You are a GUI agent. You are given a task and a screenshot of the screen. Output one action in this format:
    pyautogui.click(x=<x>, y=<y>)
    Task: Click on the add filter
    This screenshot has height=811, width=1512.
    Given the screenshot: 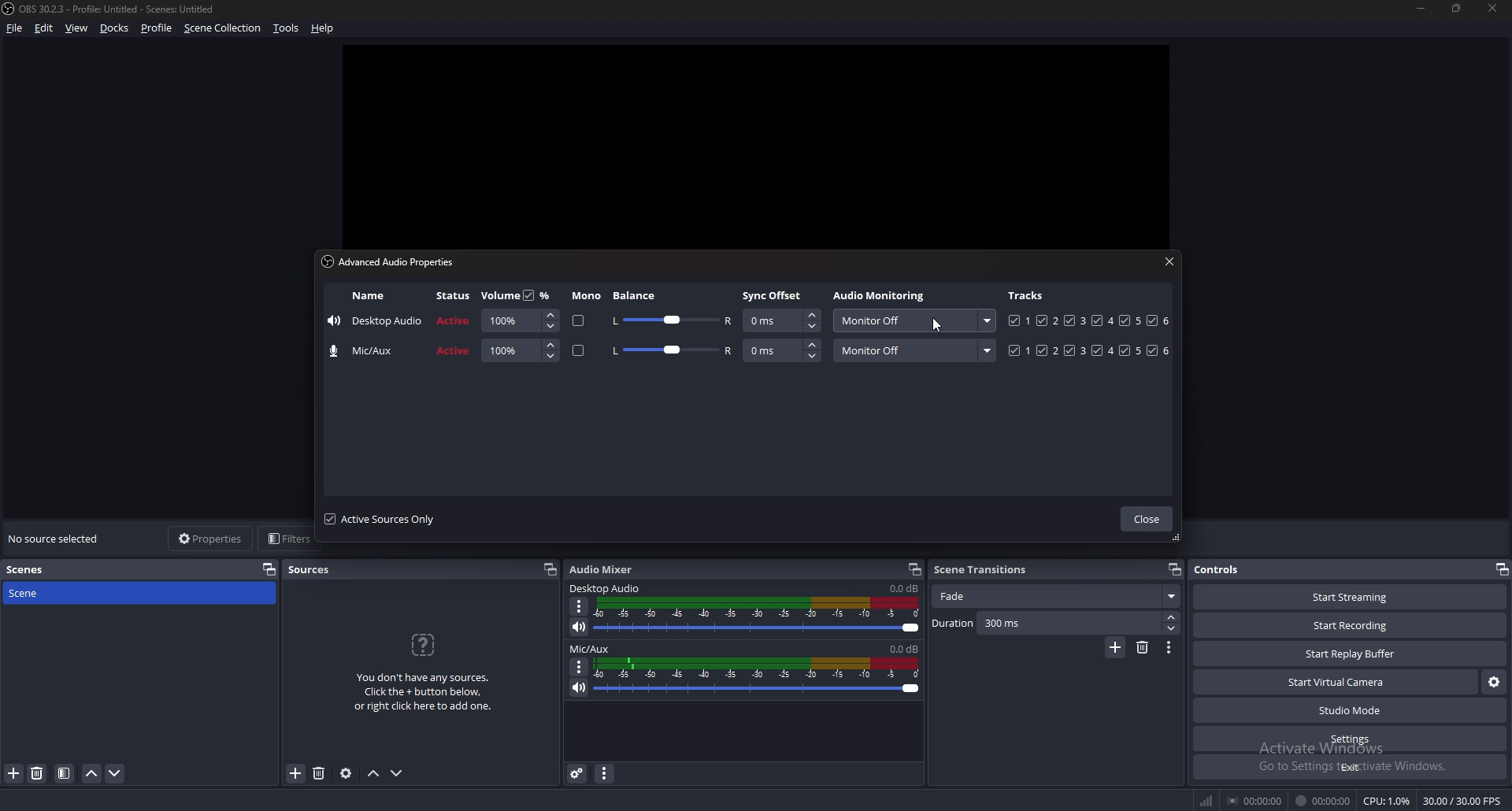 What is the action you would take?
    pyautogui.click(x=14, y=773)
    